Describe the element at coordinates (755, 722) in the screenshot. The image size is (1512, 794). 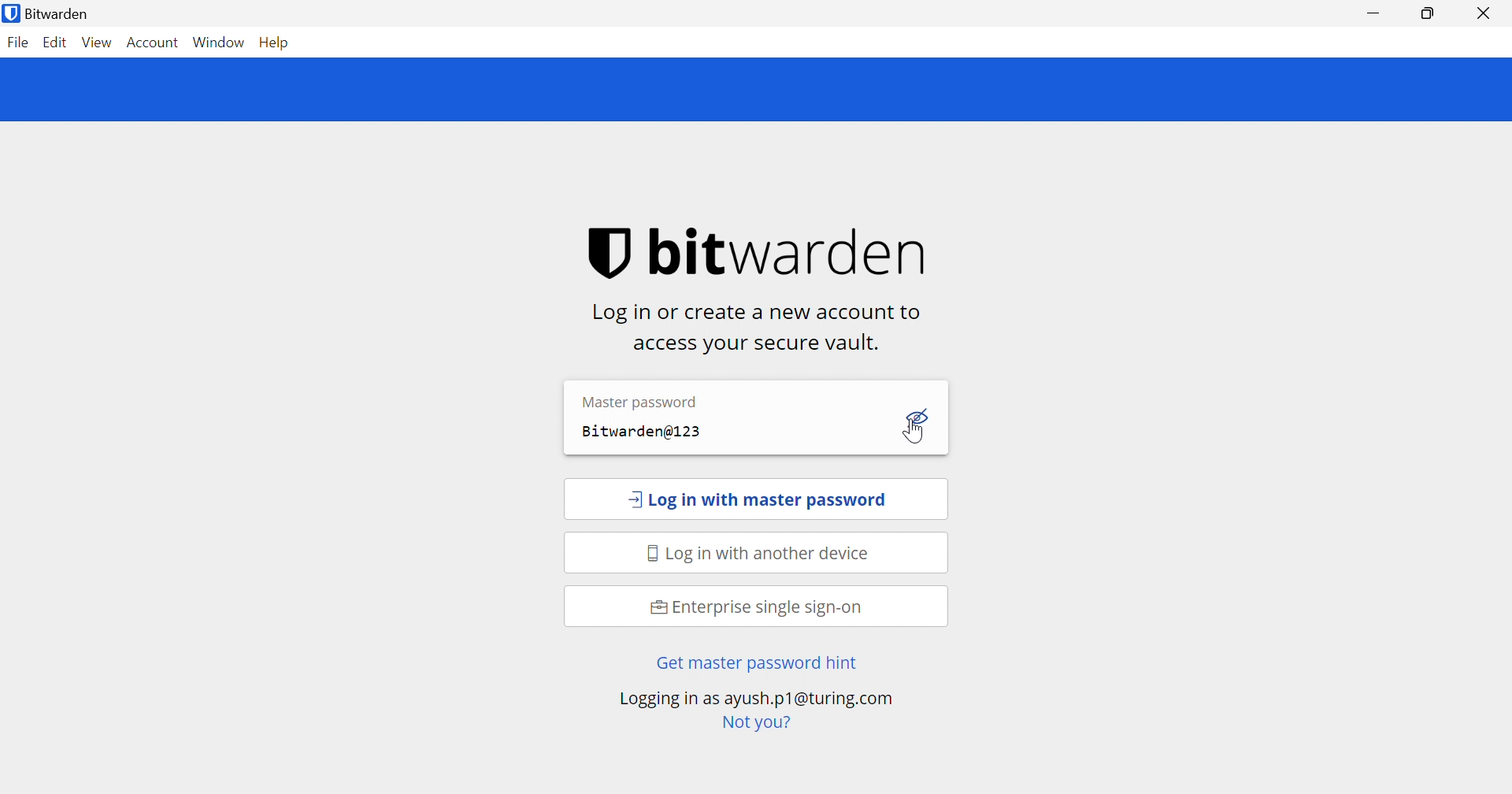
I see `Not you?` at that location.